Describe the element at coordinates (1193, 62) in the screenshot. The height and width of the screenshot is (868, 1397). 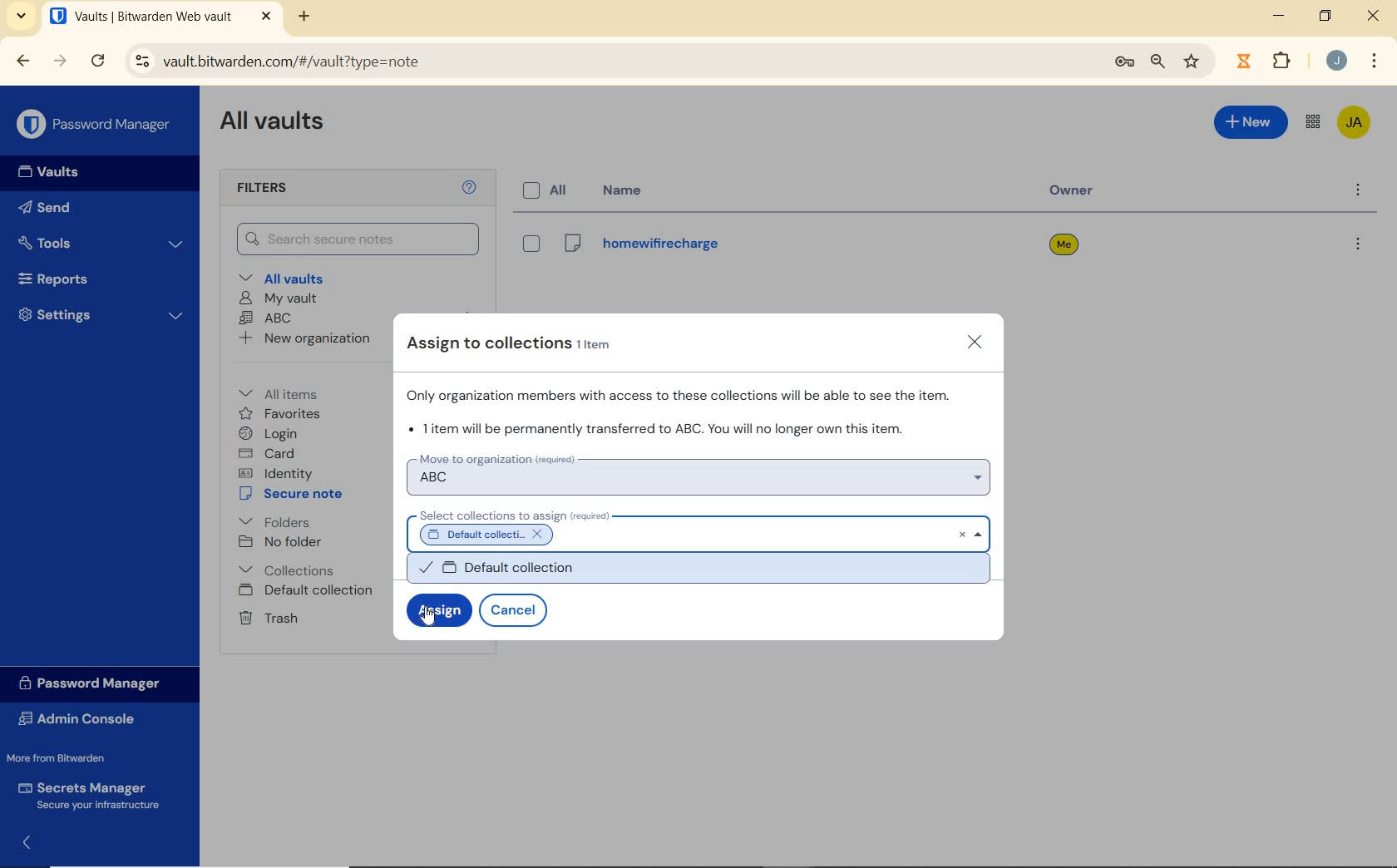
I see `bookmark` at that location.